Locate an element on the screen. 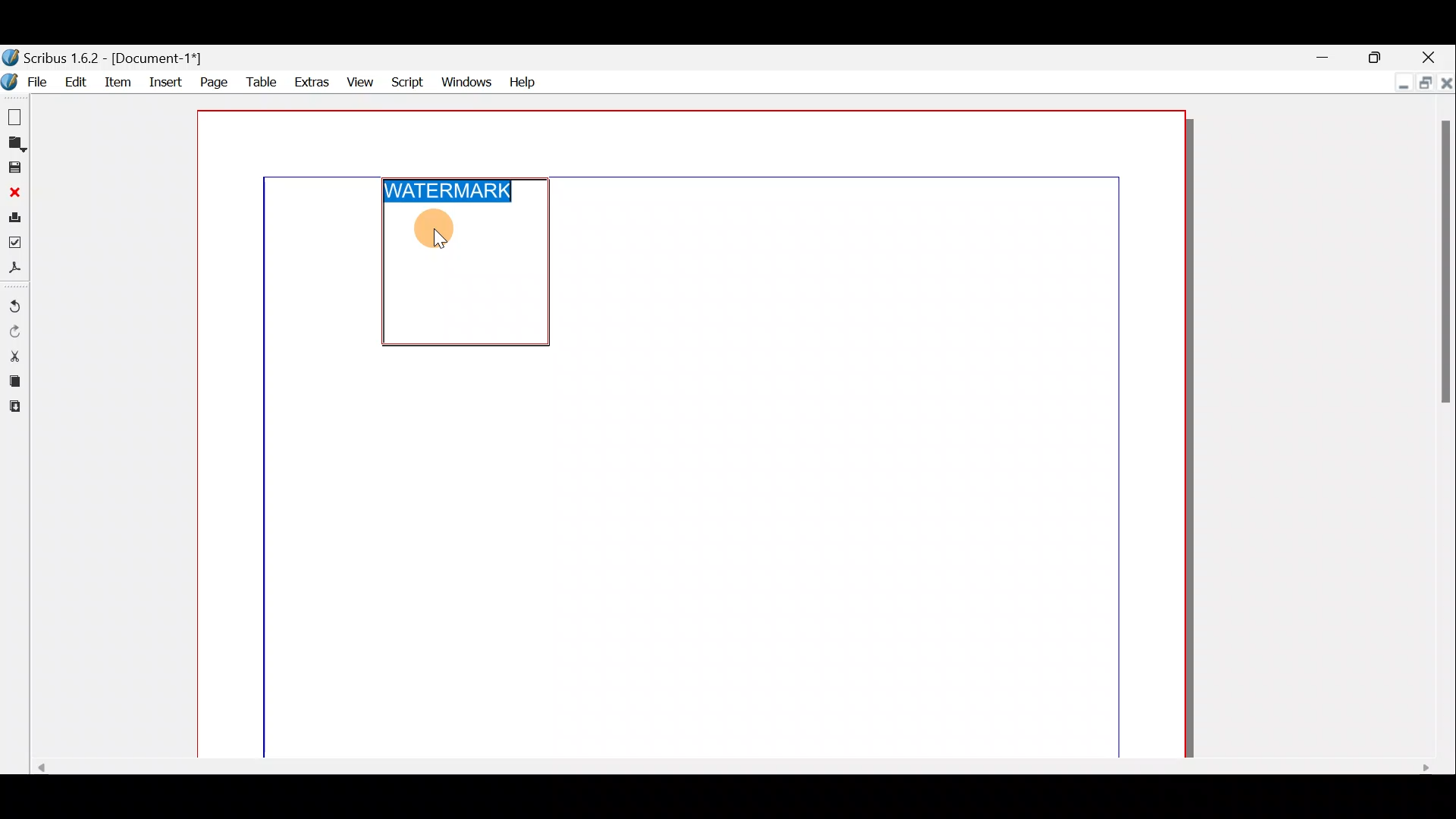 This screenshot has width=1456, height=819. Preflight verifier is located at coordinates (15, 246).